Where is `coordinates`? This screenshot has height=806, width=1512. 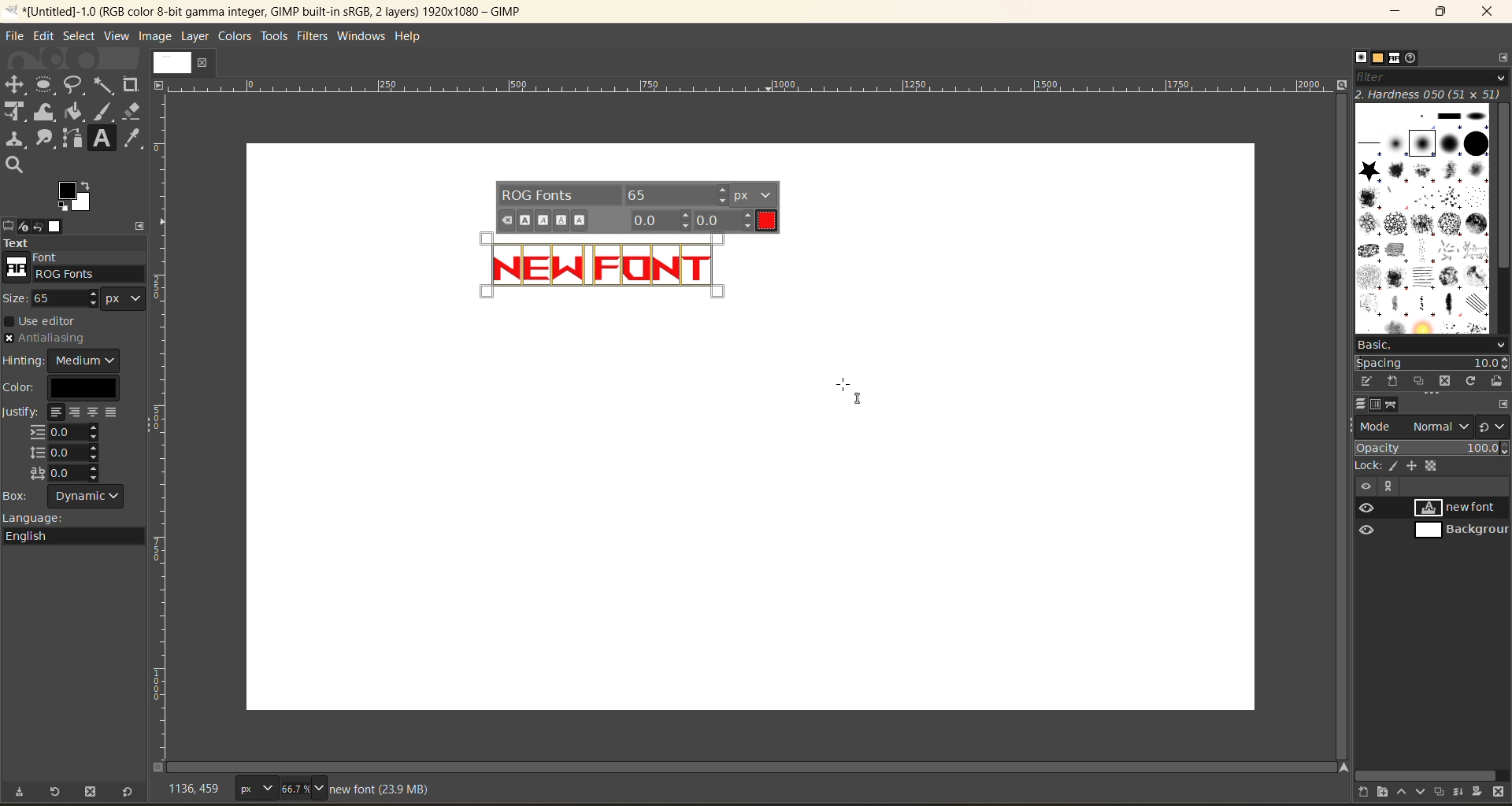 coordinates is located at coordinates (198, 786).